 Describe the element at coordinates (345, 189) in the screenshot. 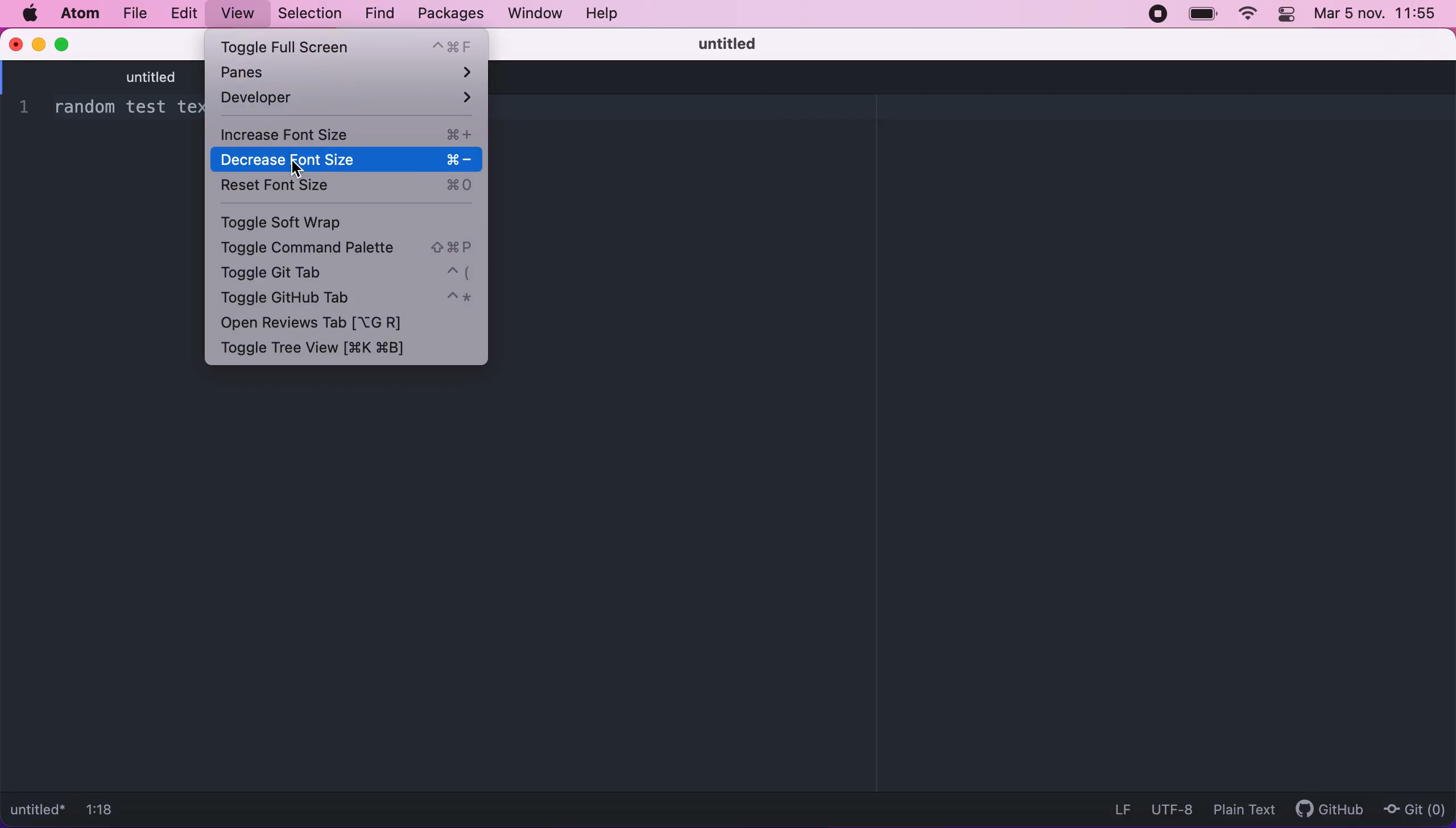

I see `reset font size` at that location.